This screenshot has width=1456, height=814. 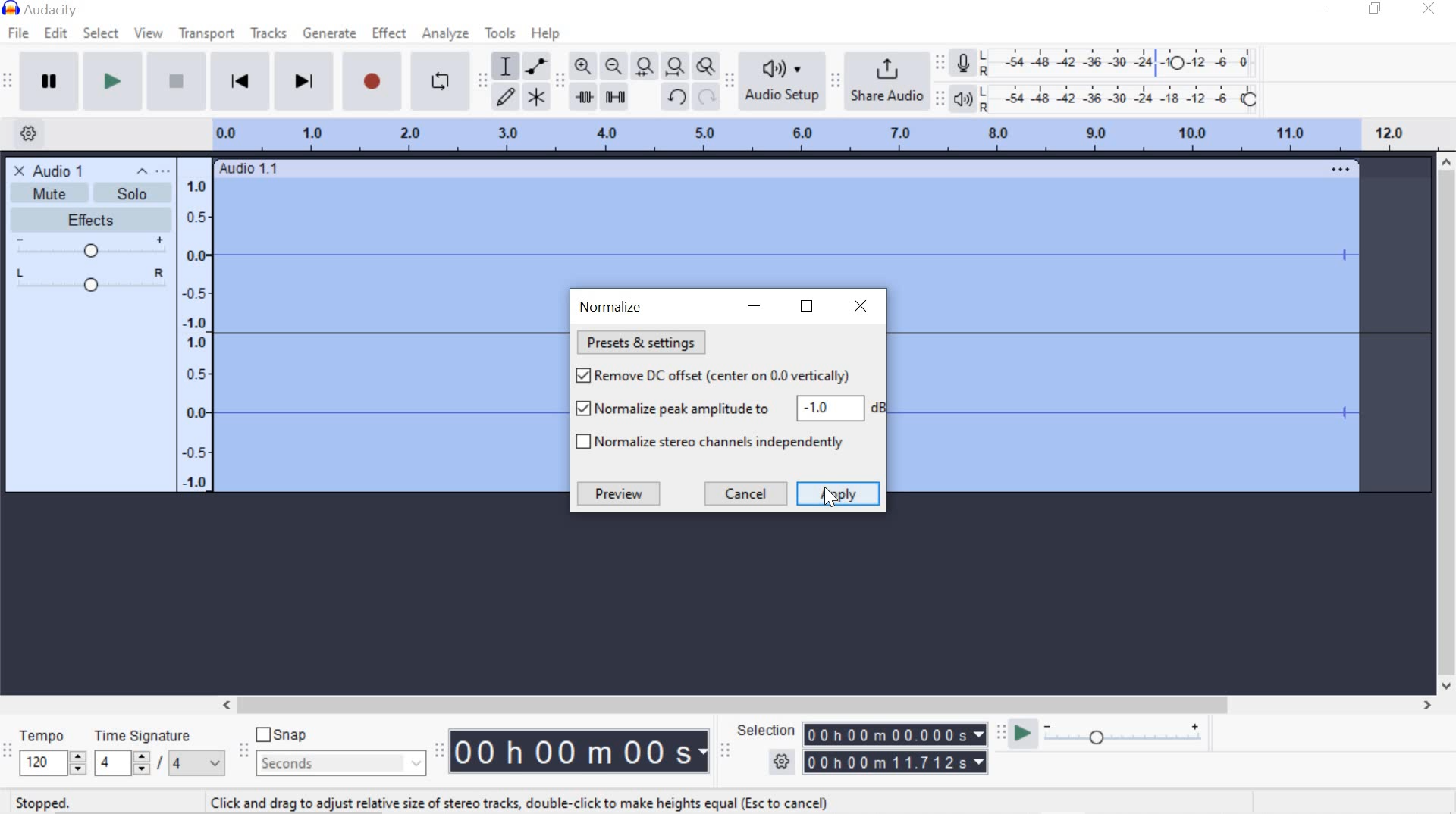 I want to click on Timeline option, so click(x=24, y=132).